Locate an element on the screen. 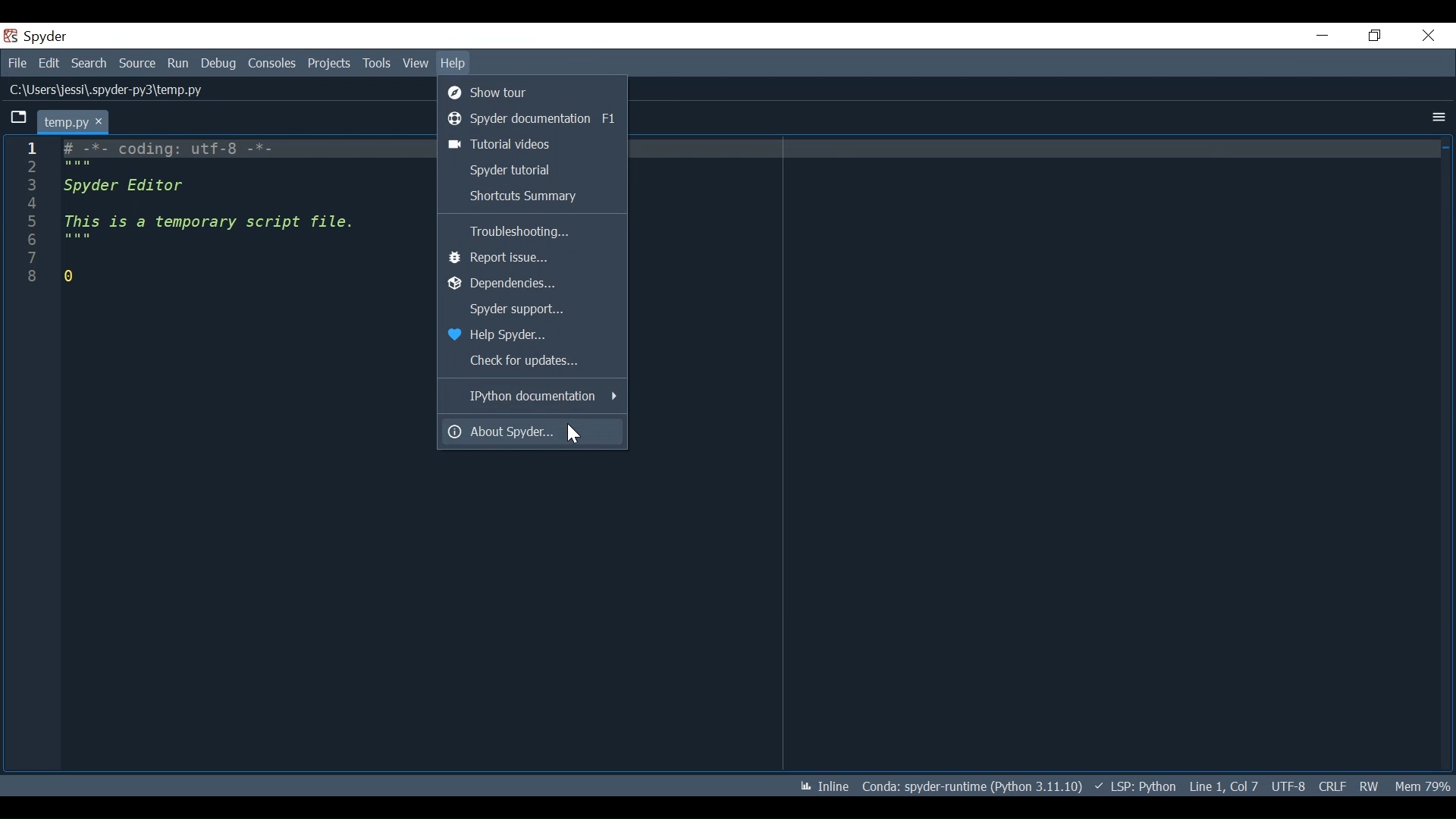  Debug is located at coordinates (220, 64).